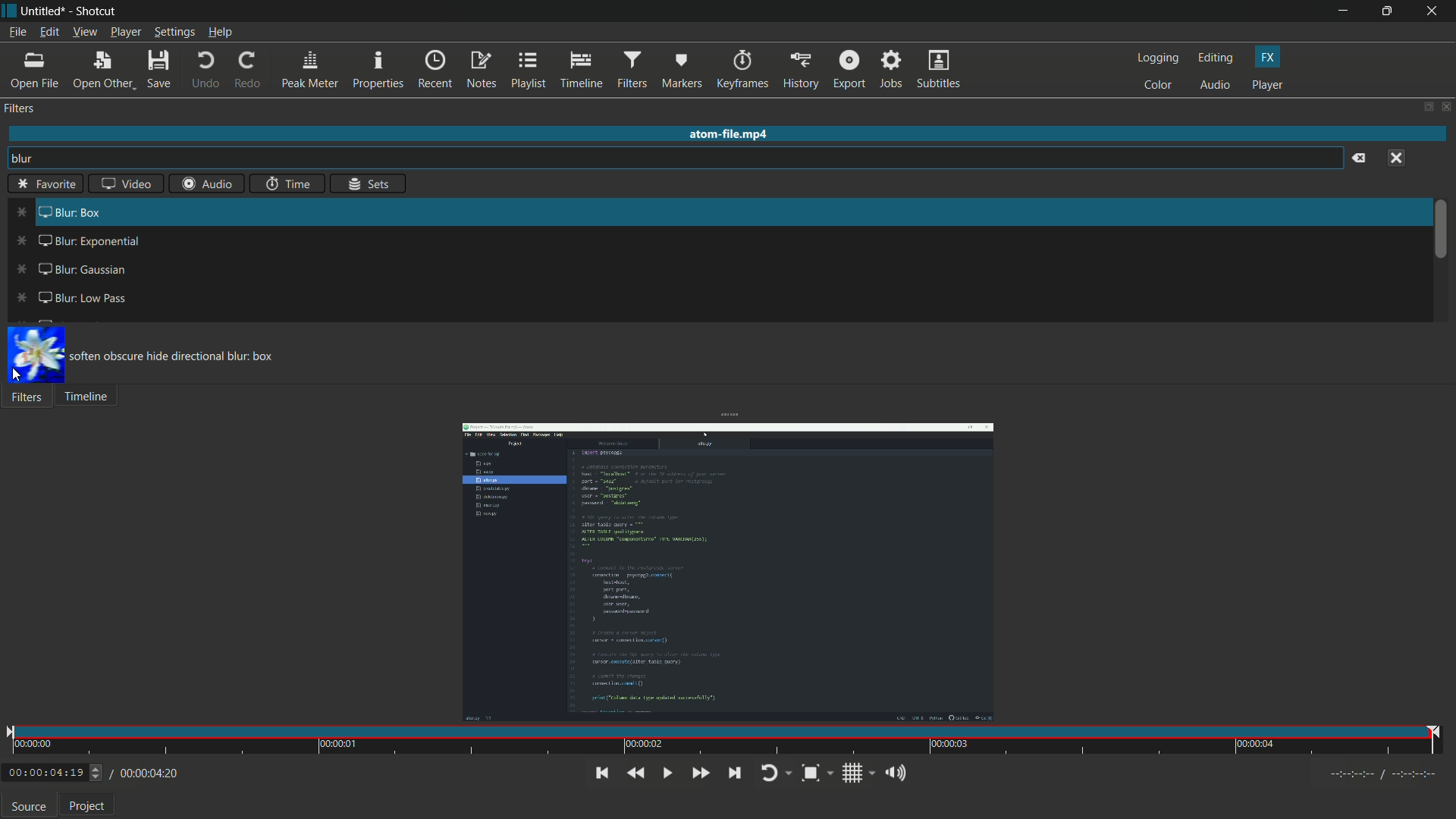 The width and height of the screenshot is (1456, 819). Describe the element at coordinates (739, 773) in the screenshot. I see `skip to the next point` at that location.